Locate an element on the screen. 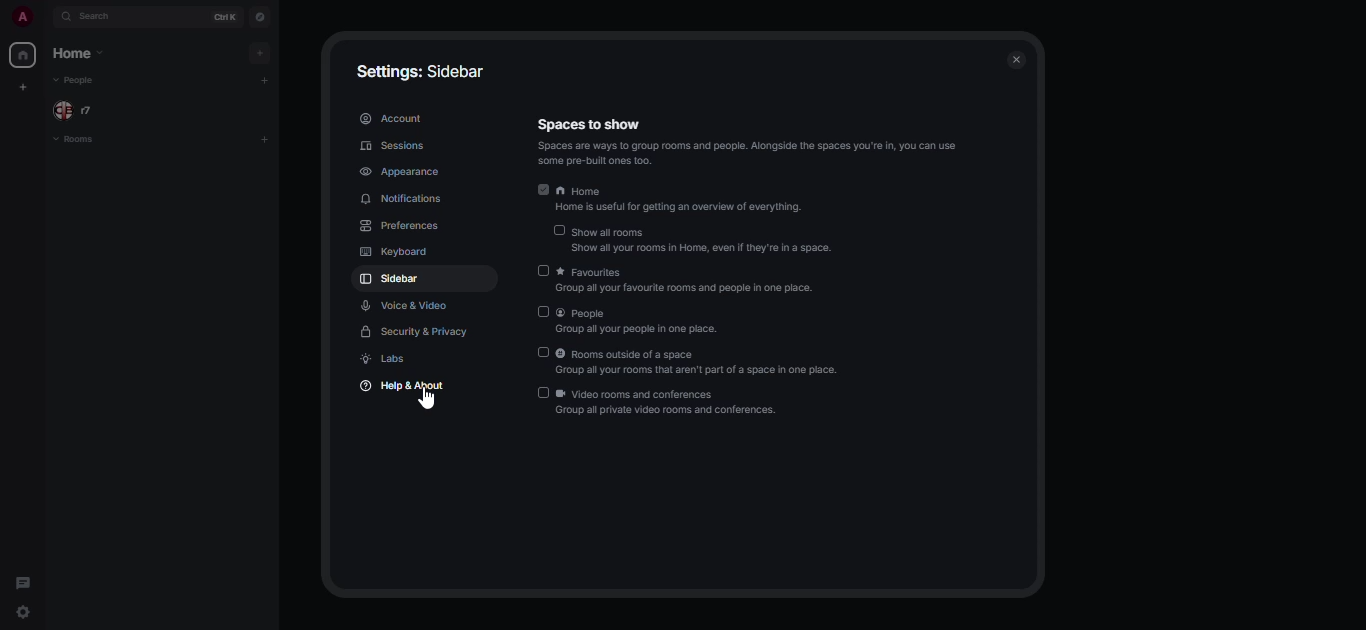  spaces to show is located at coordinates (748, 140).